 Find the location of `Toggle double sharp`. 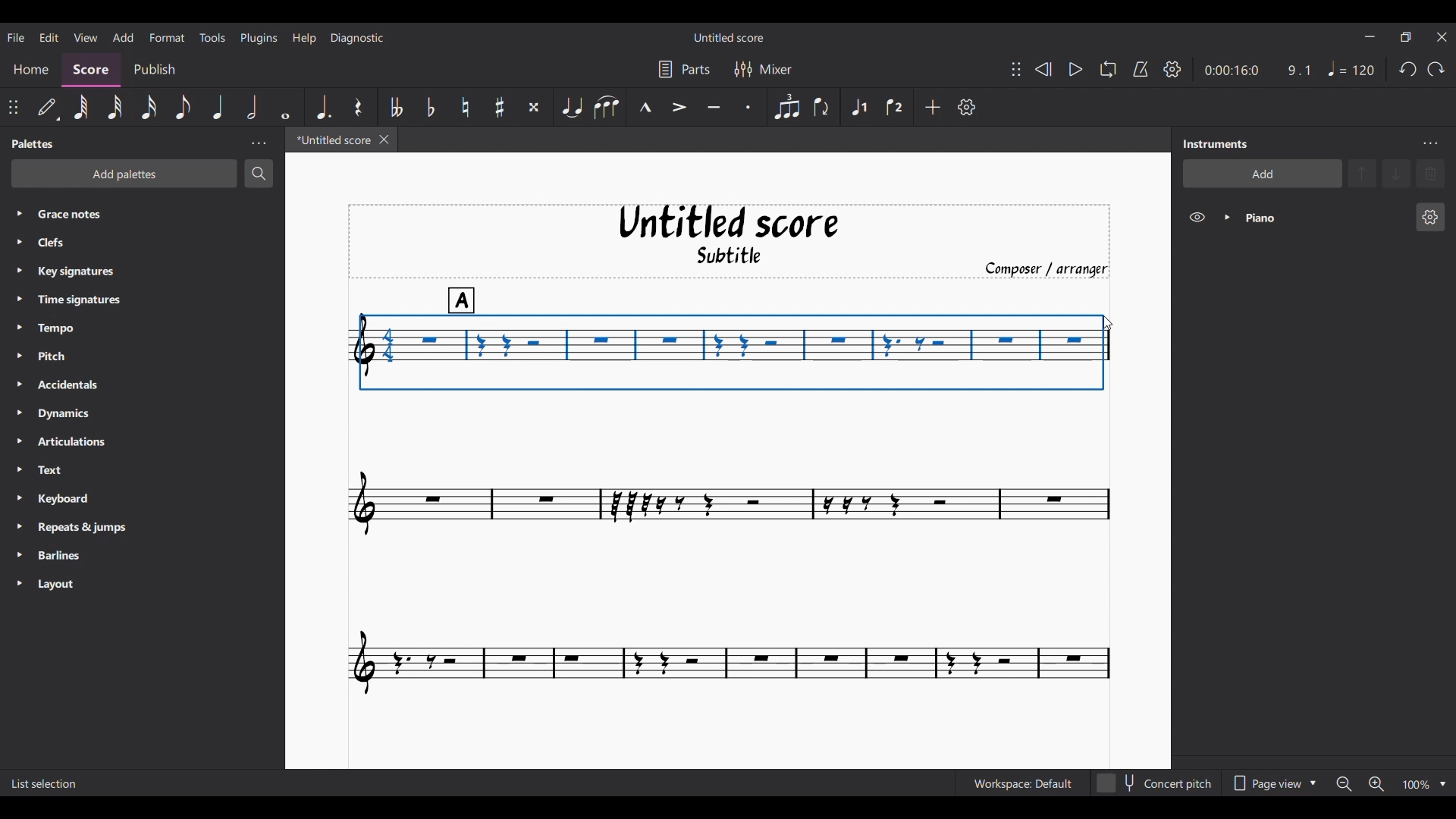

Toggle double sharp is located at coordinates (534, 107).